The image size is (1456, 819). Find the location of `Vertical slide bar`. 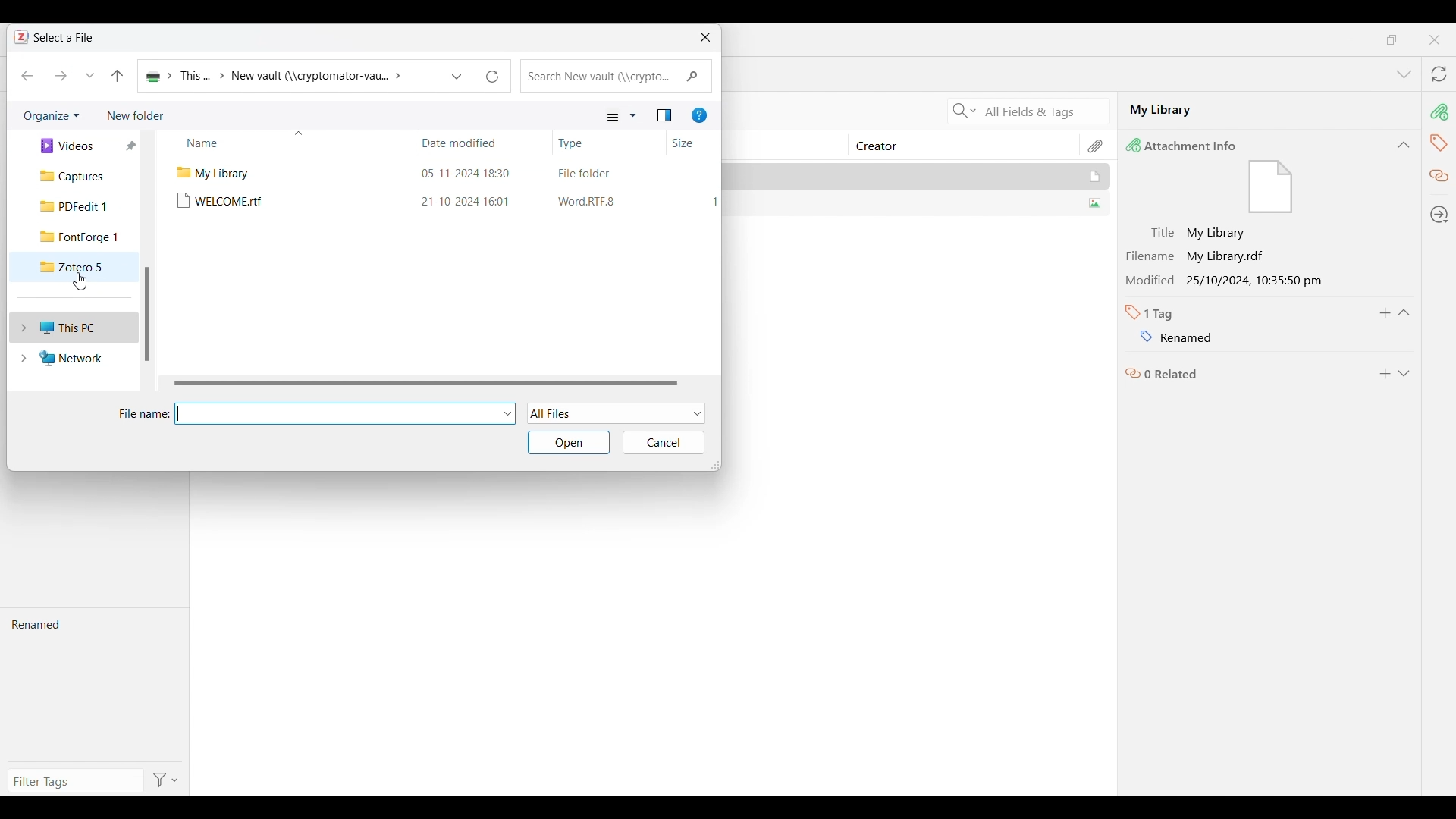

Vertical slide bar is located at coordinates (147, 314).